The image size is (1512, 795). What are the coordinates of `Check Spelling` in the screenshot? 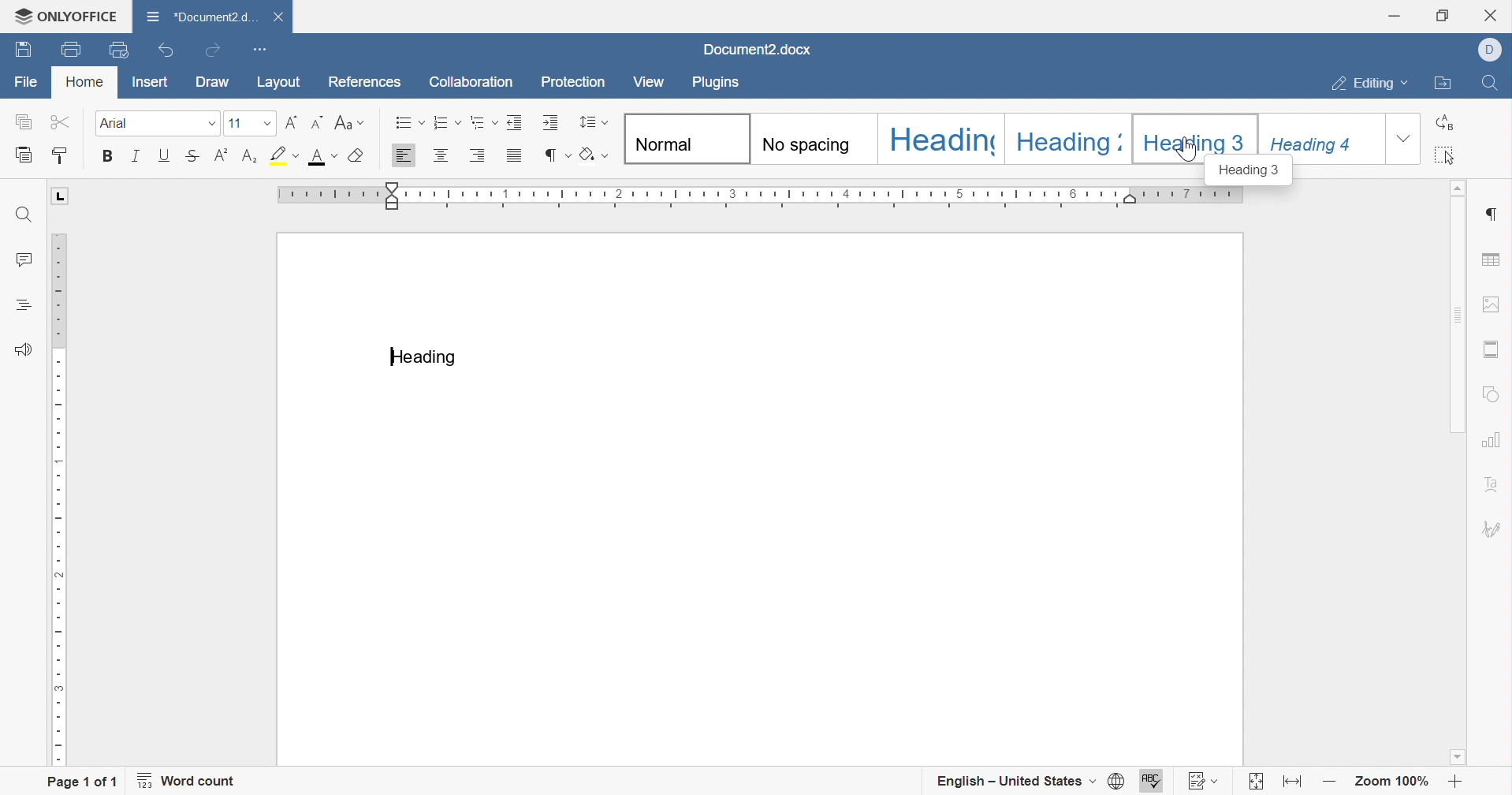 It's located at (1153, 780).